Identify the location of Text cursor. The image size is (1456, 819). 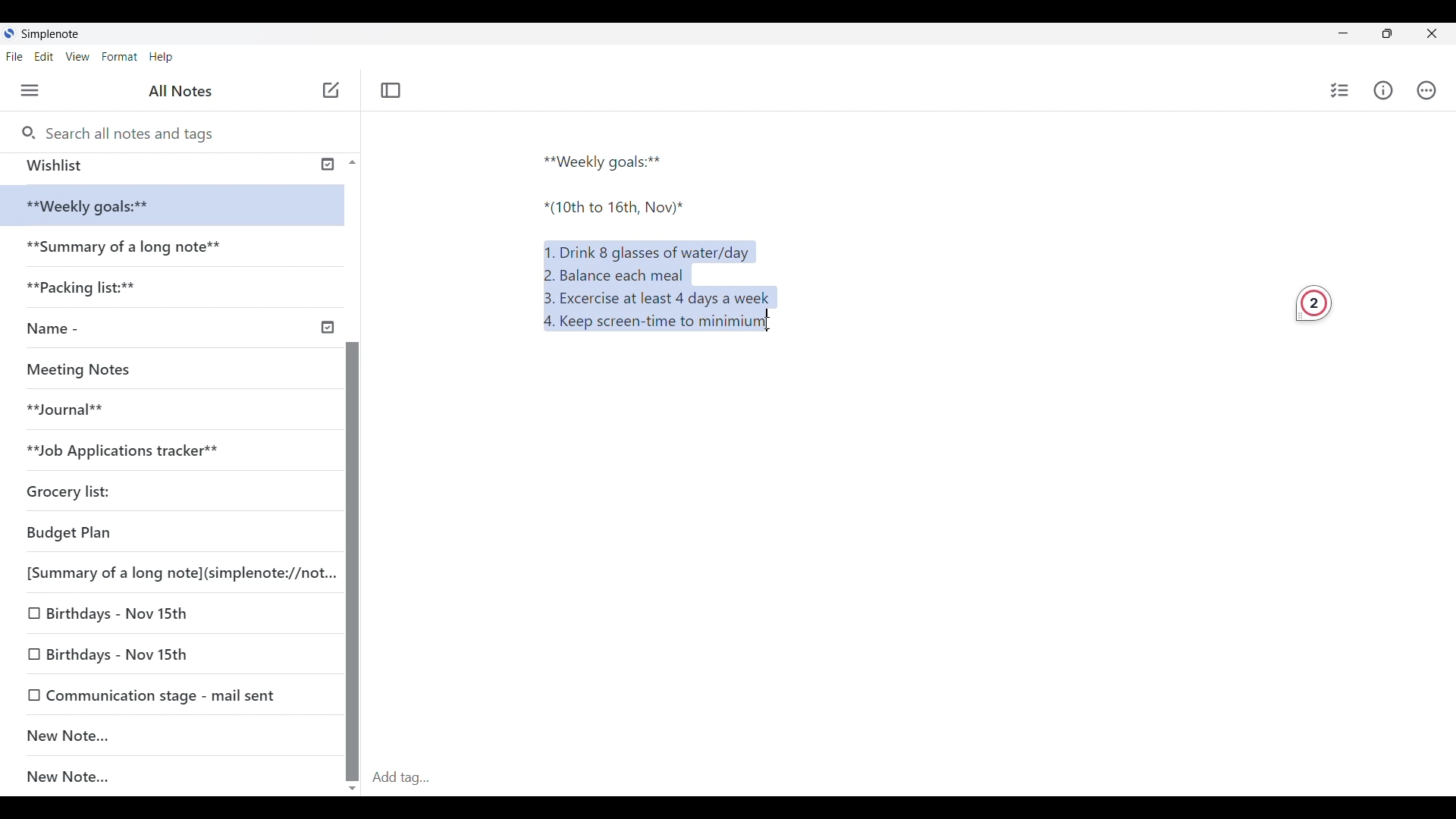
(783, 325).